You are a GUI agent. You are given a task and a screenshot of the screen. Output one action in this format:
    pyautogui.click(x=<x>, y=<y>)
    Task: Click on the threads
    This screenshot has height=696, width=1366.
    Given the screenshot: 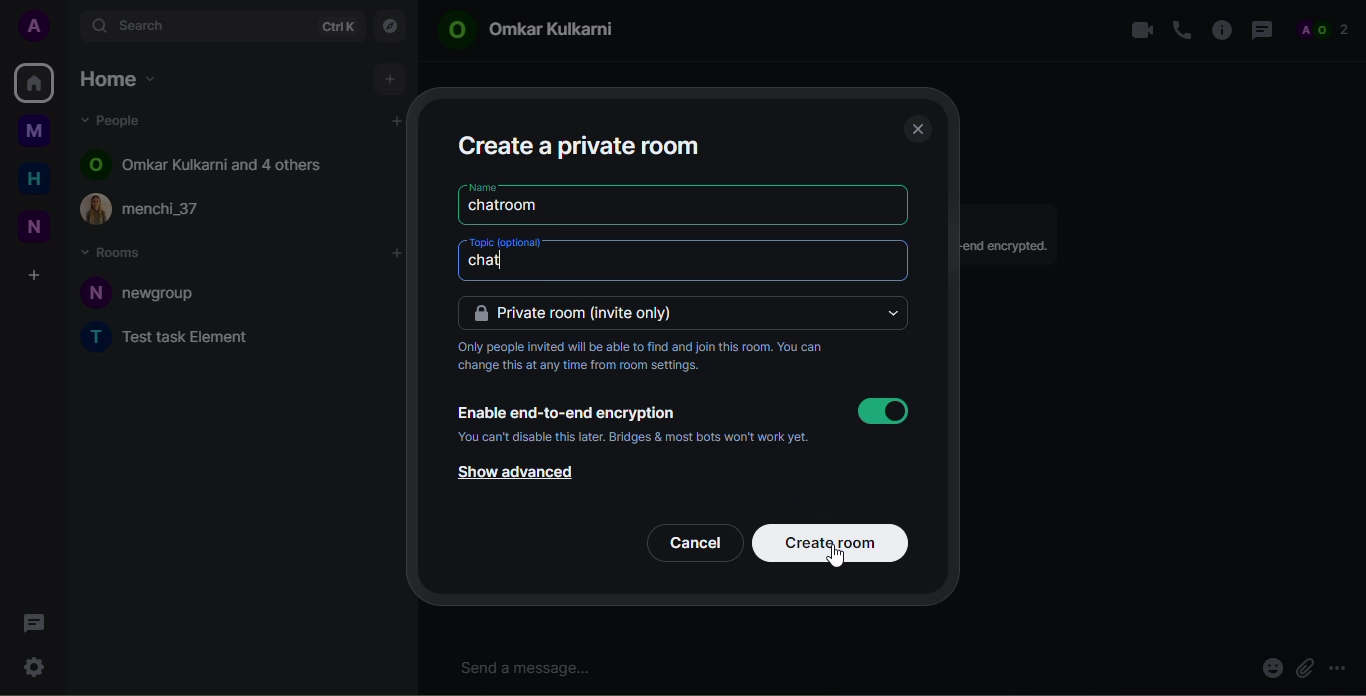 What is the action you would take?
    pyautogui.click(x=1261, y=30)
    